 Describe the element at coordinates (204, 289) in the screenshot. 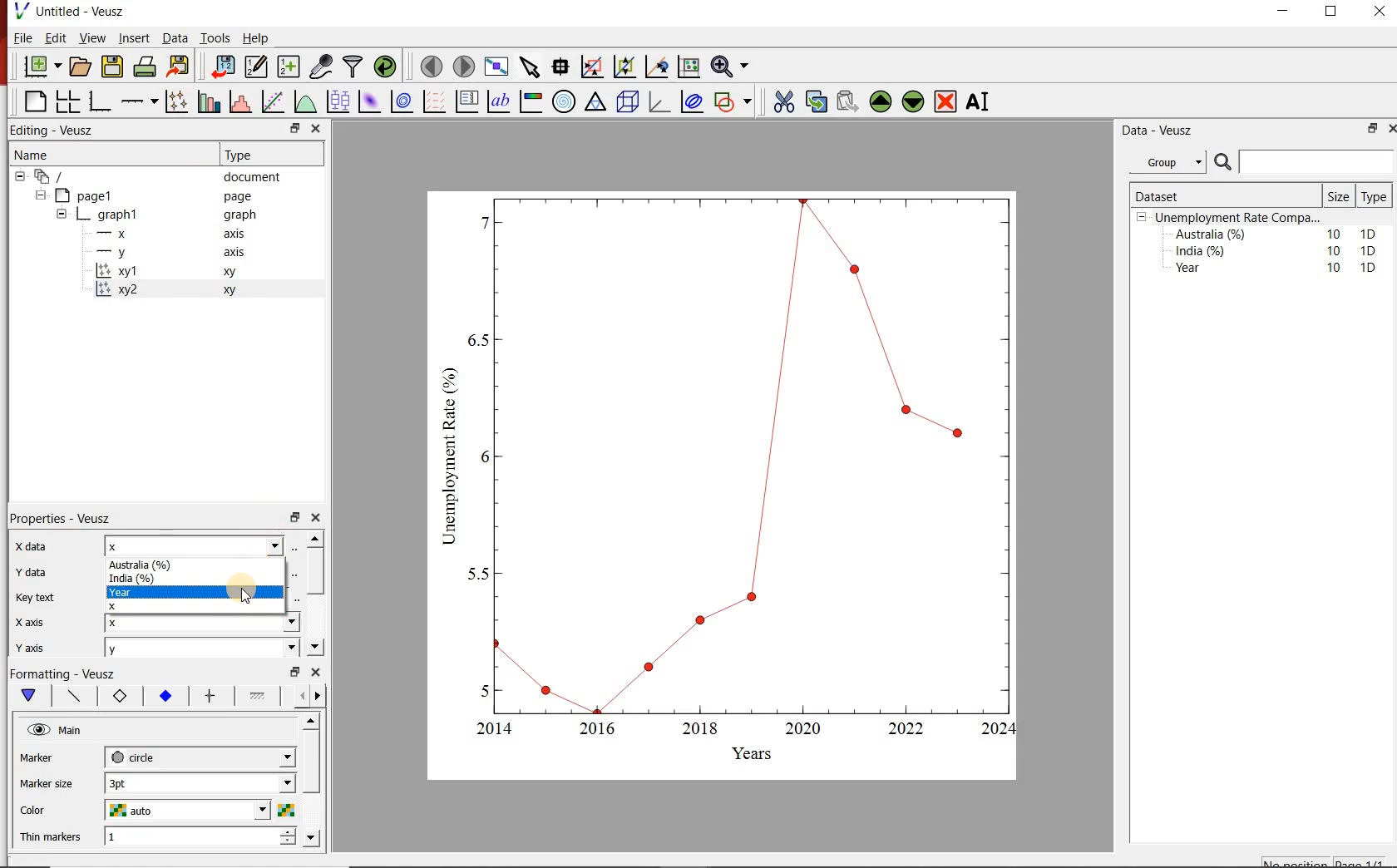

I see `xy2 xy` at that location.